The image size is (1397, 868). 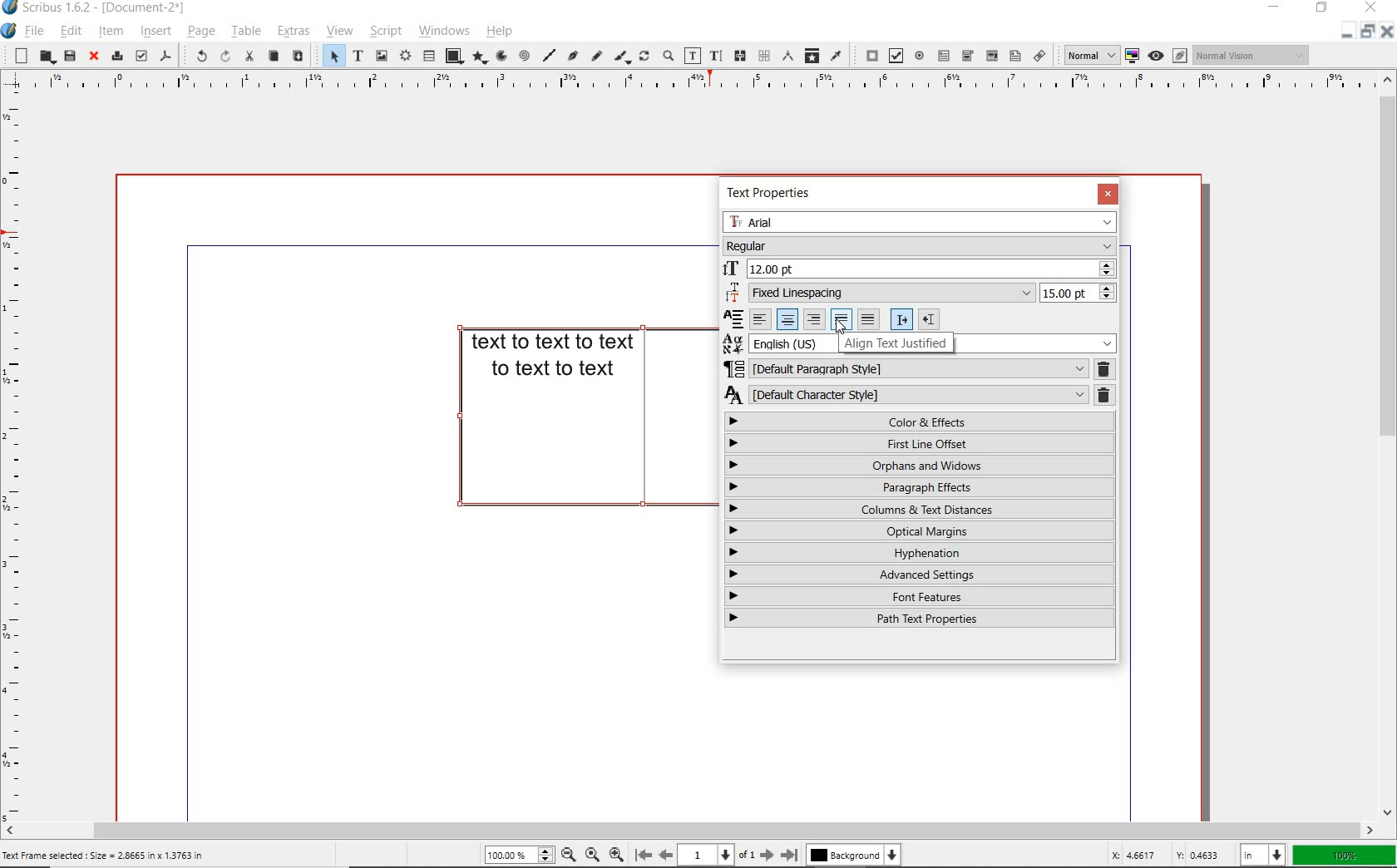 I want to click on paste, so click(x=299, y=57).